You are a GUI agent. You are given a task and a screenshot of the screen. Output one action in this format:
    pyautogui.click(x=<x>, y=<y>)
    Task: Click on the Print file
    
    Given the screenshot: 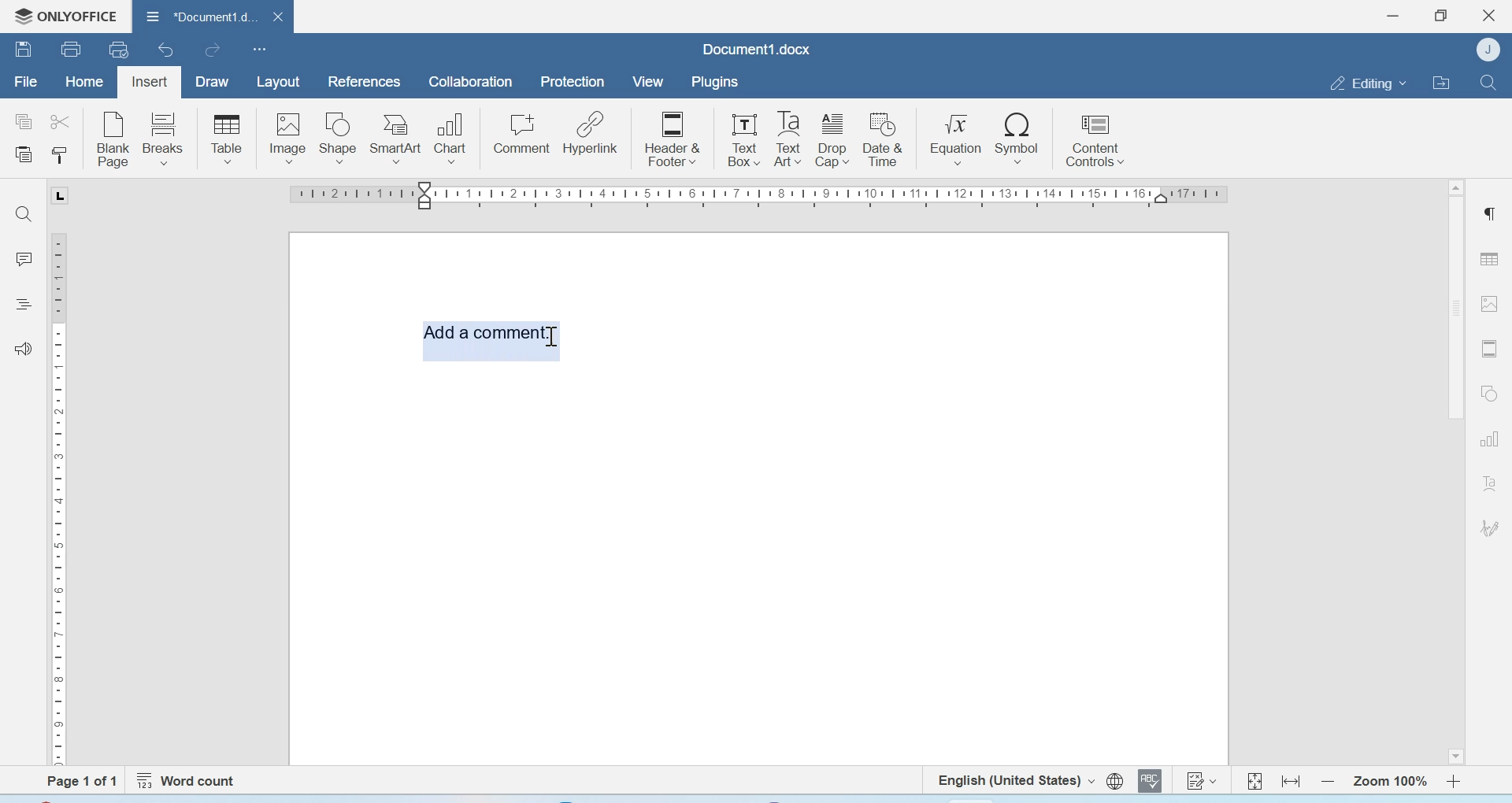 What is the action you would take?
    pyautogui.click(x=73, y=49)
    